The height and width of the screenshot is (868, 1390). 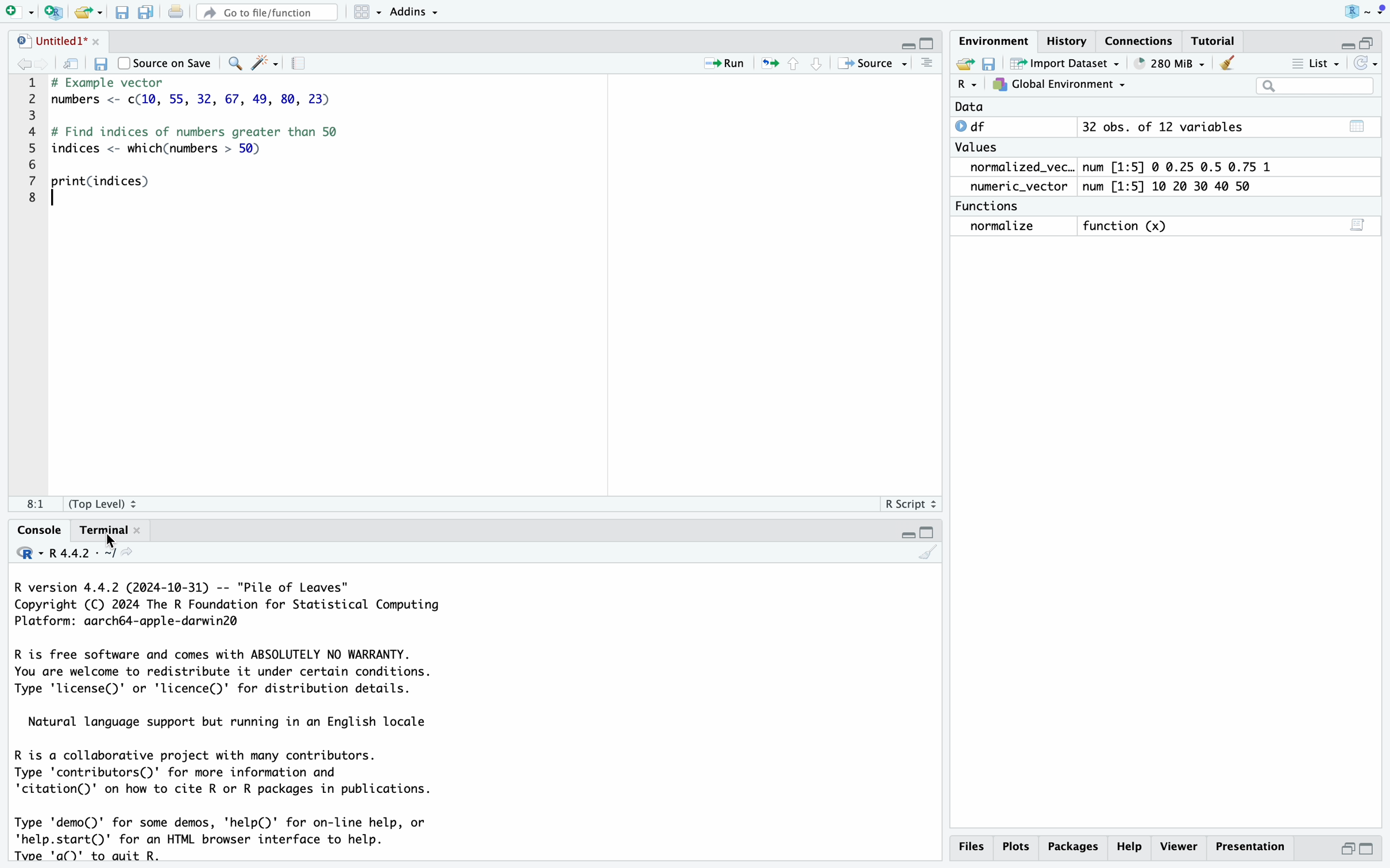 What do you see at coordinates (1249, 843) in the screenshot?
I see `Presentation` at bounding box center [1249, 843].